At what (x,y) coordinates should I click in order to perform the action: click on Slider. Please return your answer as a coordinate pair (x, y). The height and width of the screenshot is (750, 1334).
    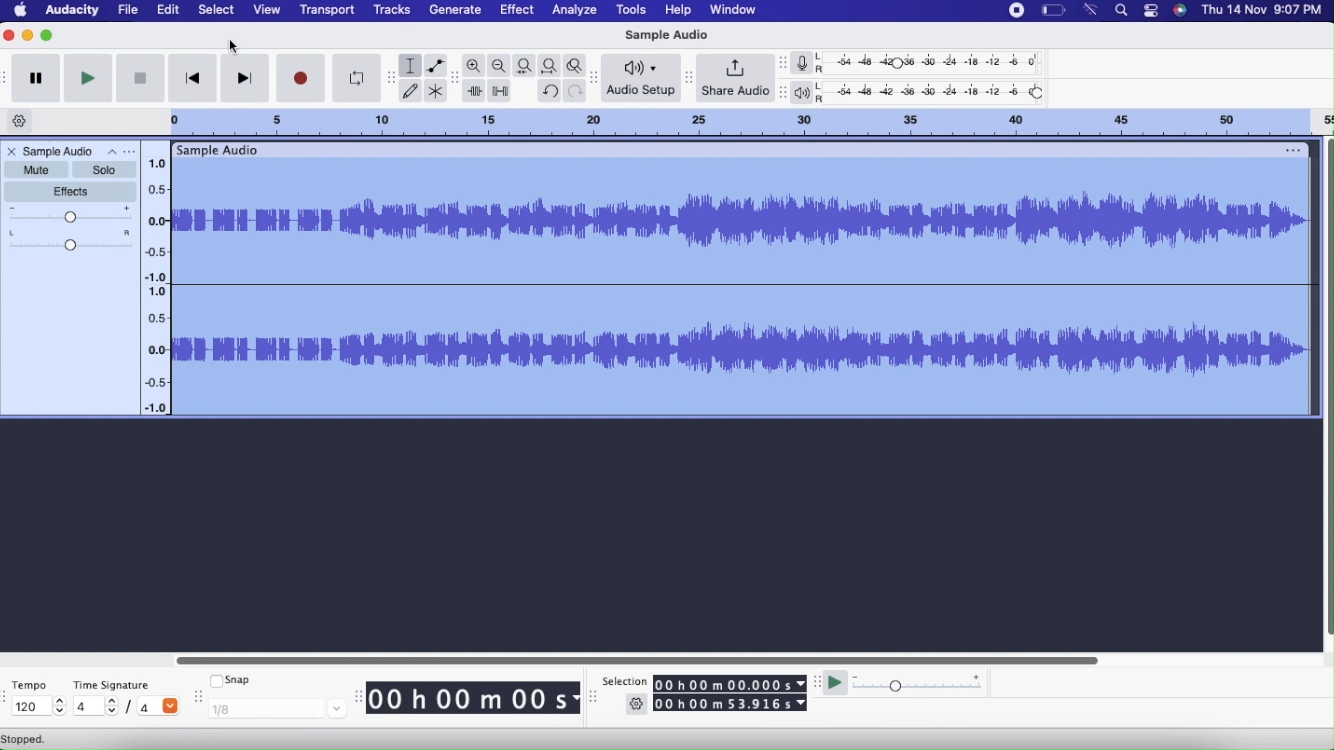
    Looking at the image, I should click on (154, 279).